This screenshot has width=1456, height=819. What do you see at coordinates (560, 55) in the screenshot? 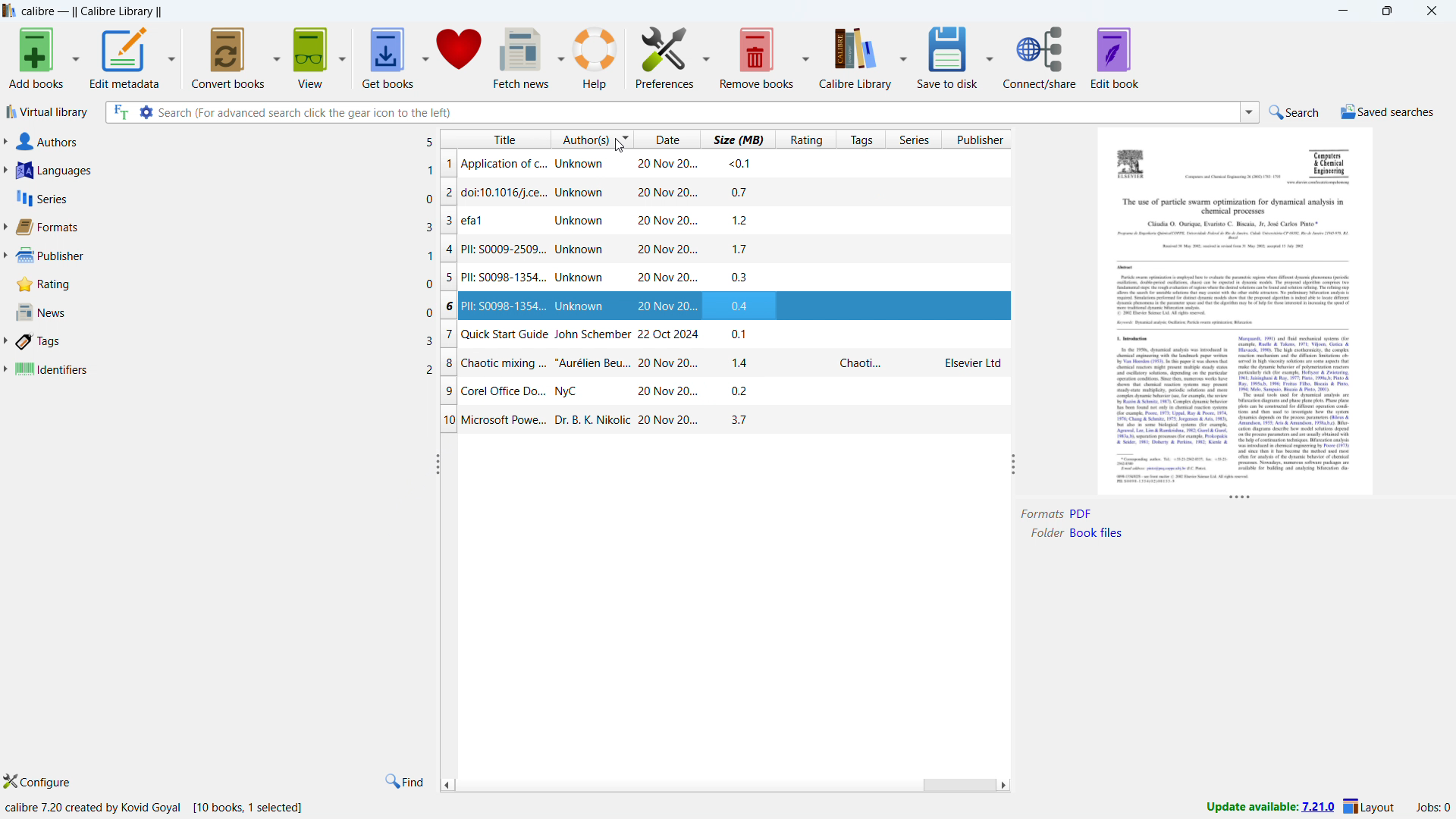
I see `fetch news options` at bounding box center [560, 55].